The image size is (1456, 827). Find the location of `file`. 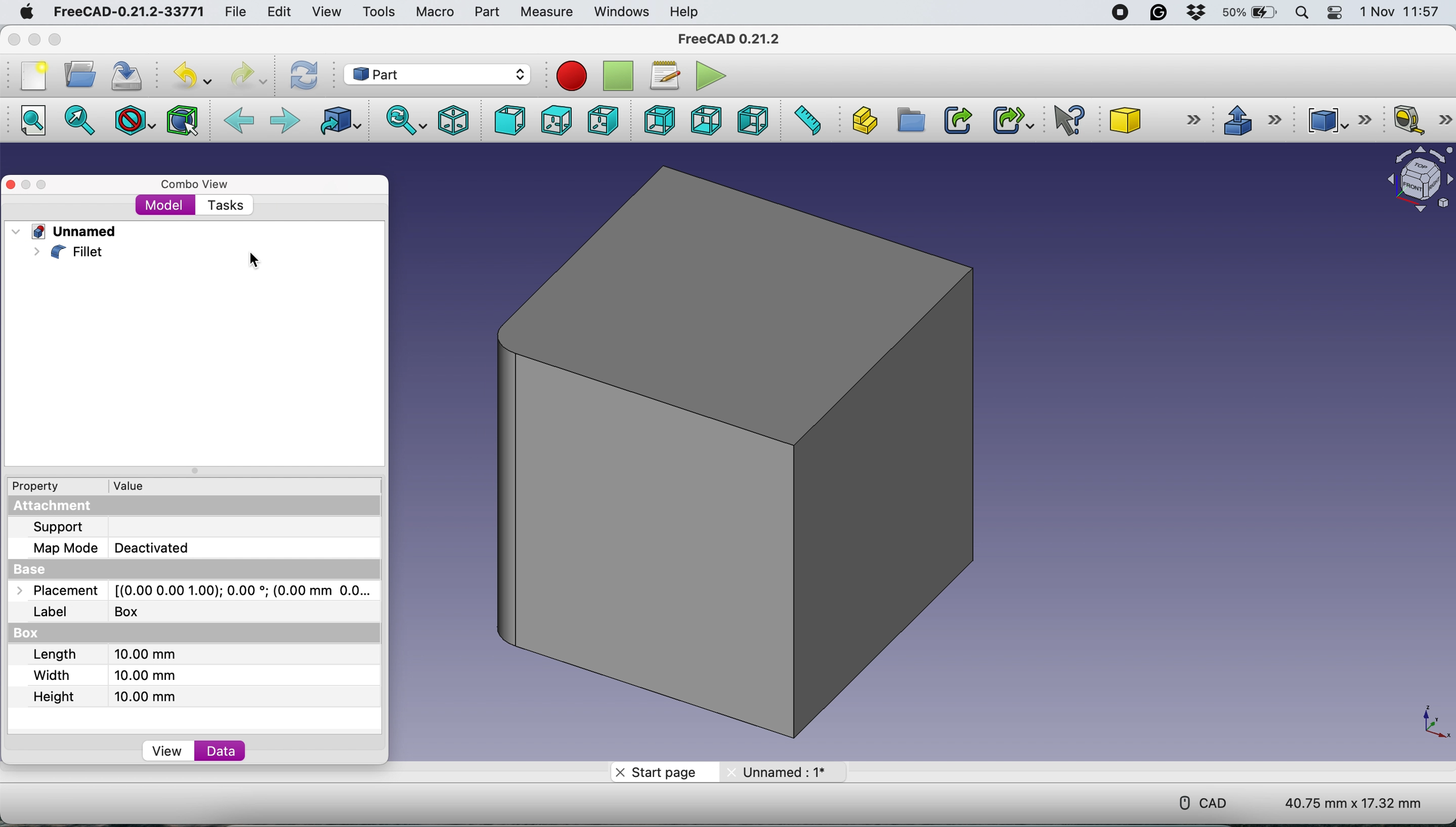

file is located at coordinates (236, 10).